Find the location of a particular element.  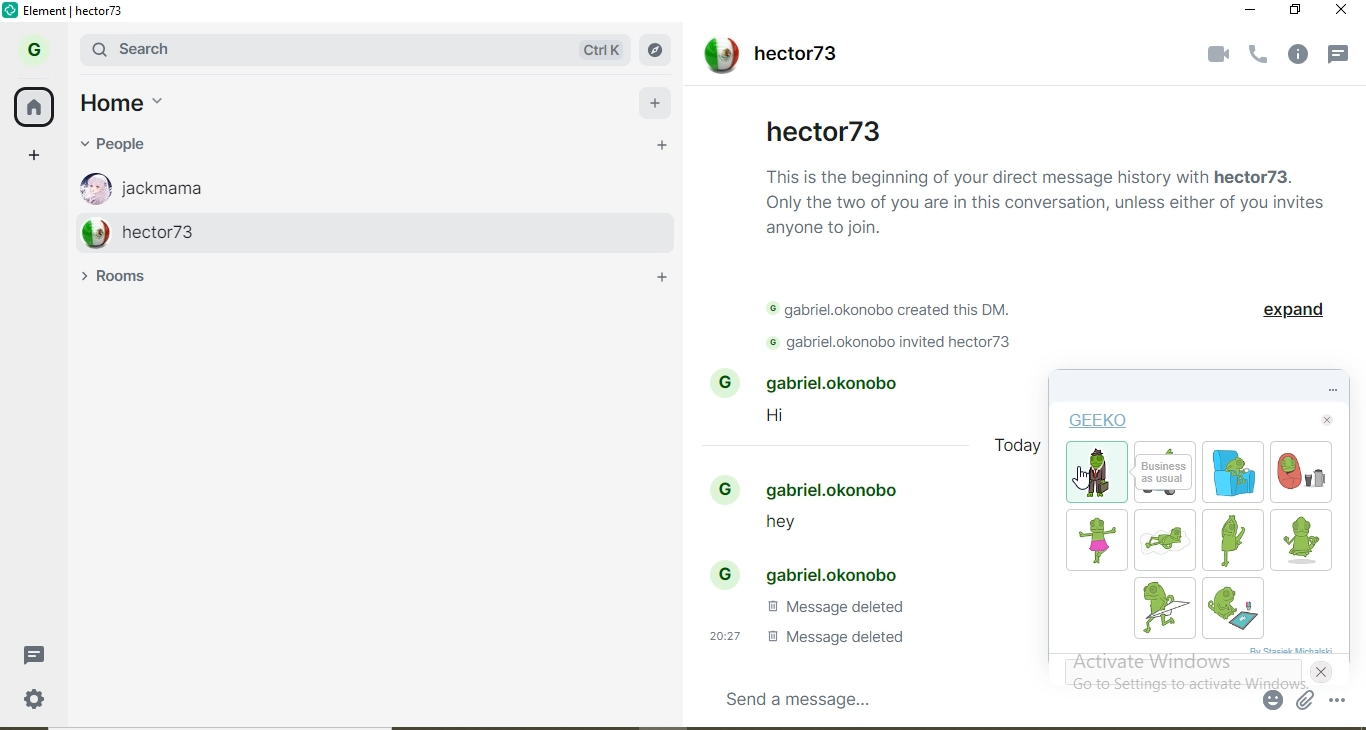

options is located at coordinates (1316, 390).